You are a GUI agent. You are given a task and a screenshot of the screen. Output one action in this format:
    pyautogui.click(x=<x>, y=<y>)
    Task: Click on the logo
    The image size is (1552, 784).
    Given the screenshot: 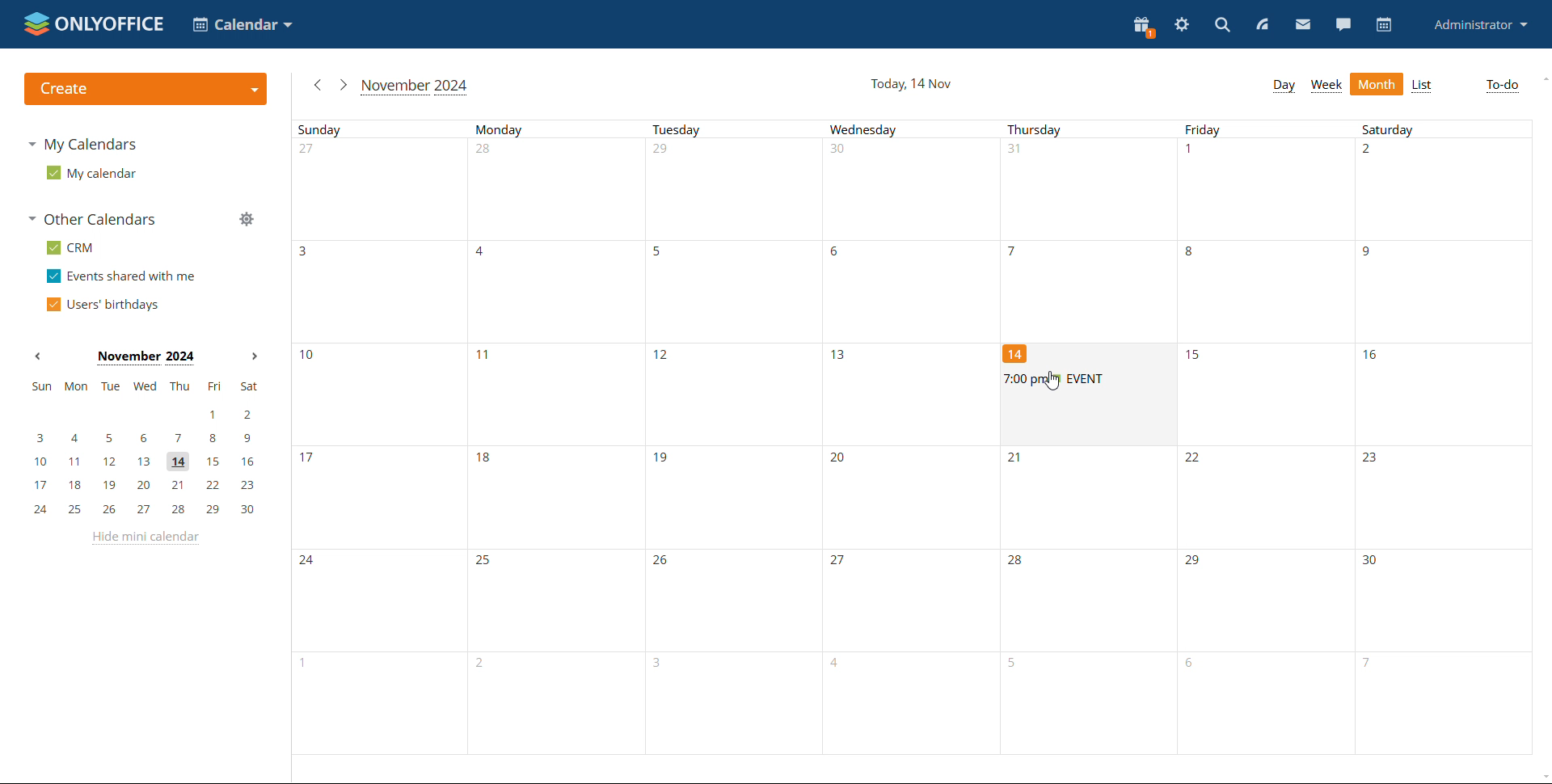 What is the action you would take?
    pyautogui.click(x=94, y=24)
    